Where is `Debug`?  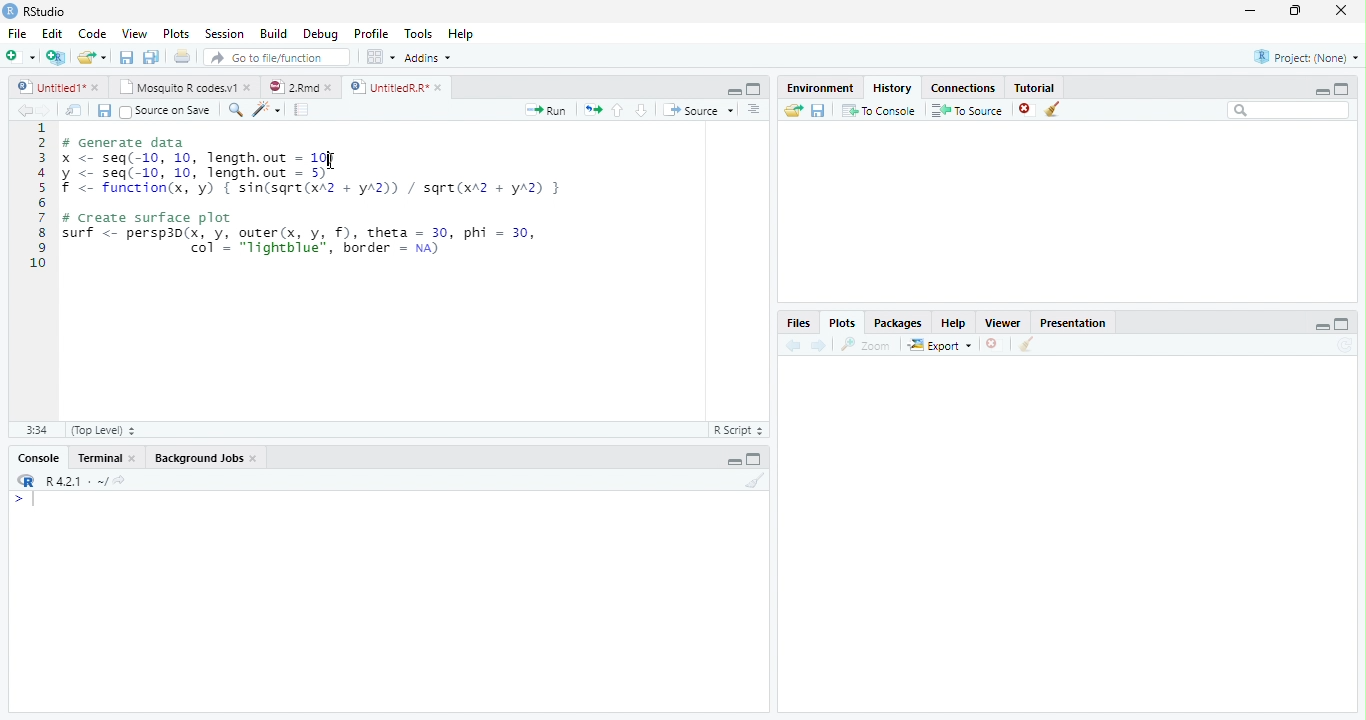
Debug is located at coordinates (320, 33).